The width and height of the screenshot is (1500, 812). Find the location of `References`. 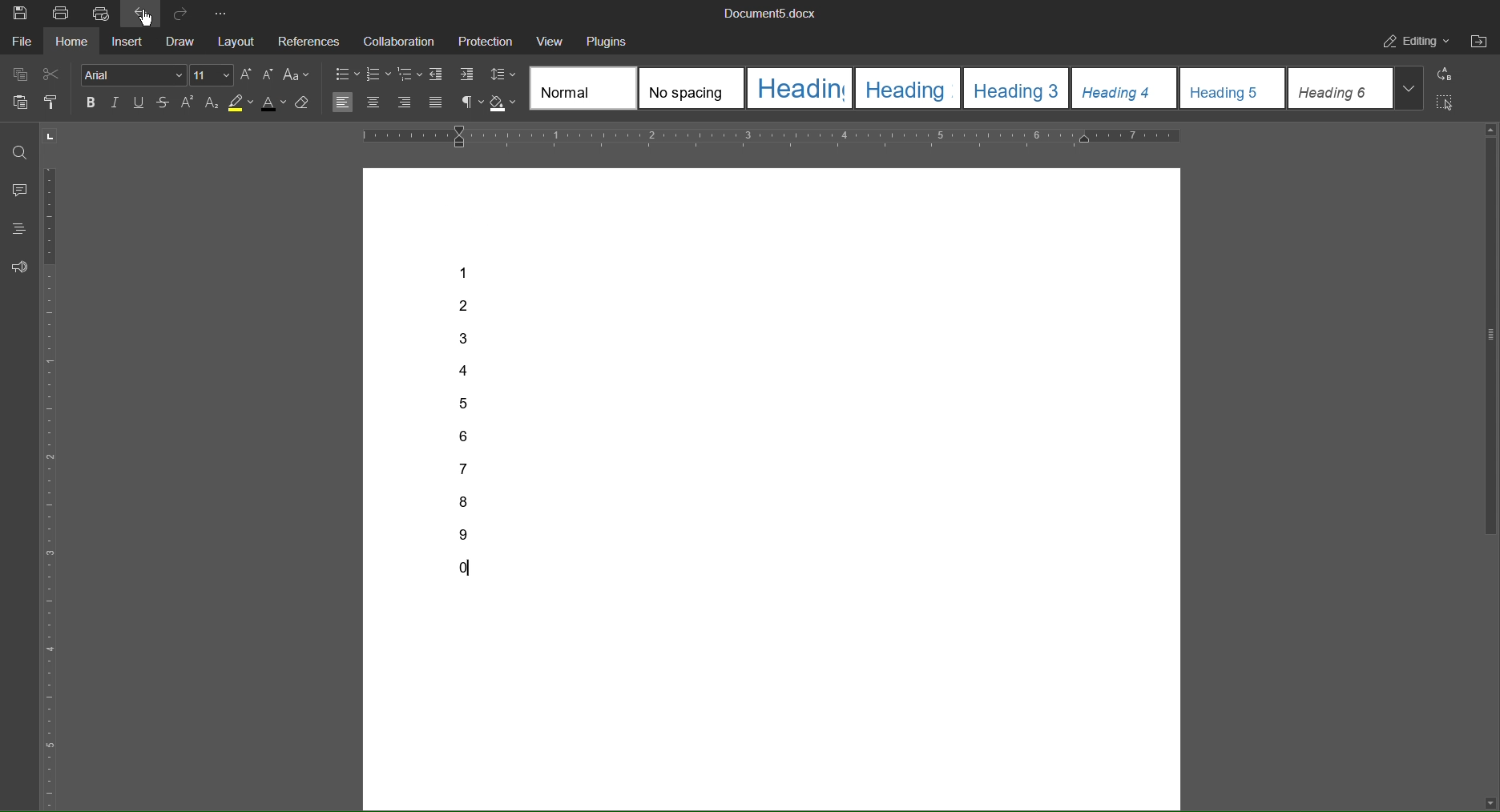

References is located at coordinates (311, 41).